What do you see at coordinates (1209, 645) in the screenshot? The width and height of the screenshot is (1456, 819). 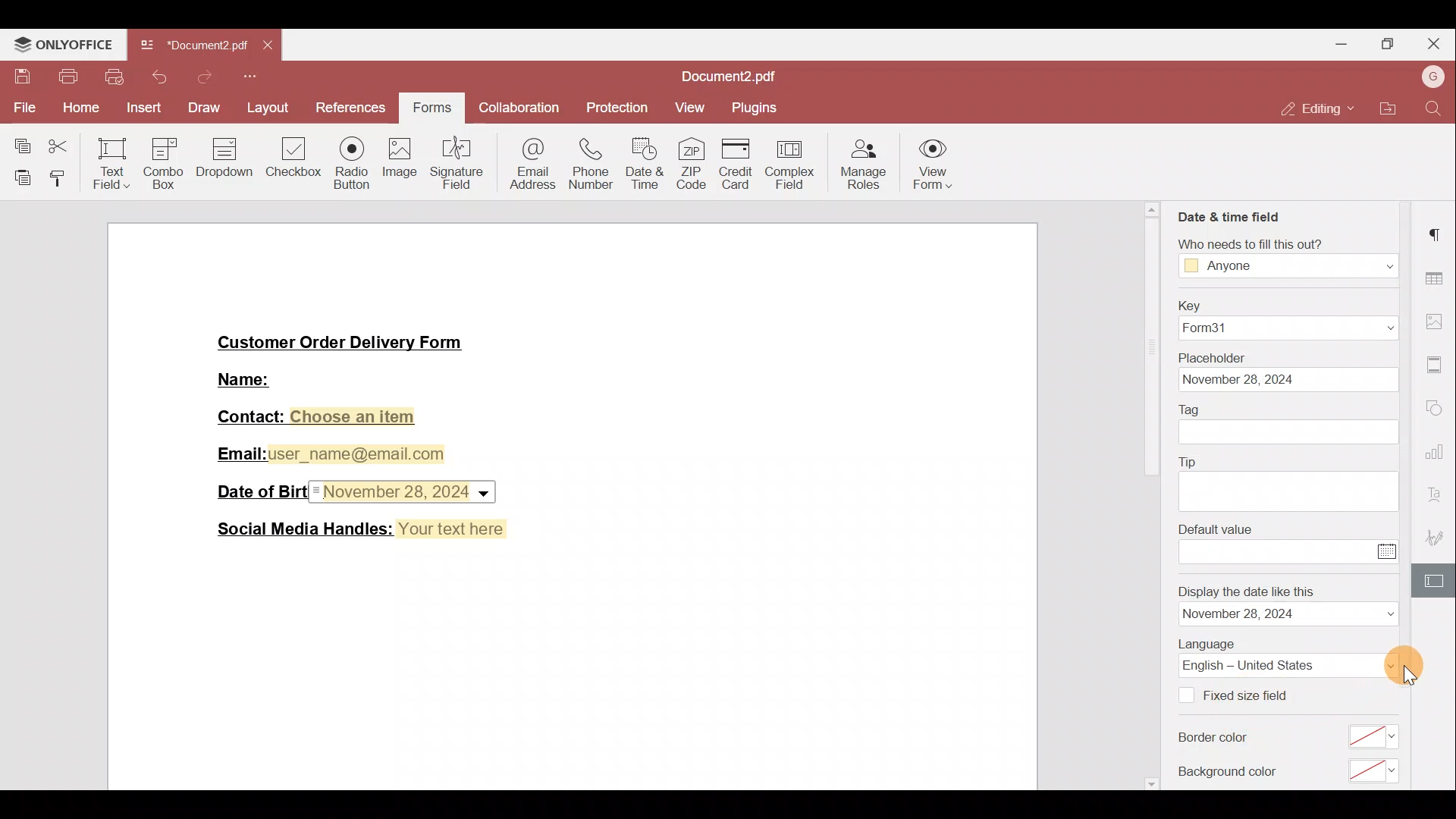 I see `Language` at bounding box center [1209, 645].